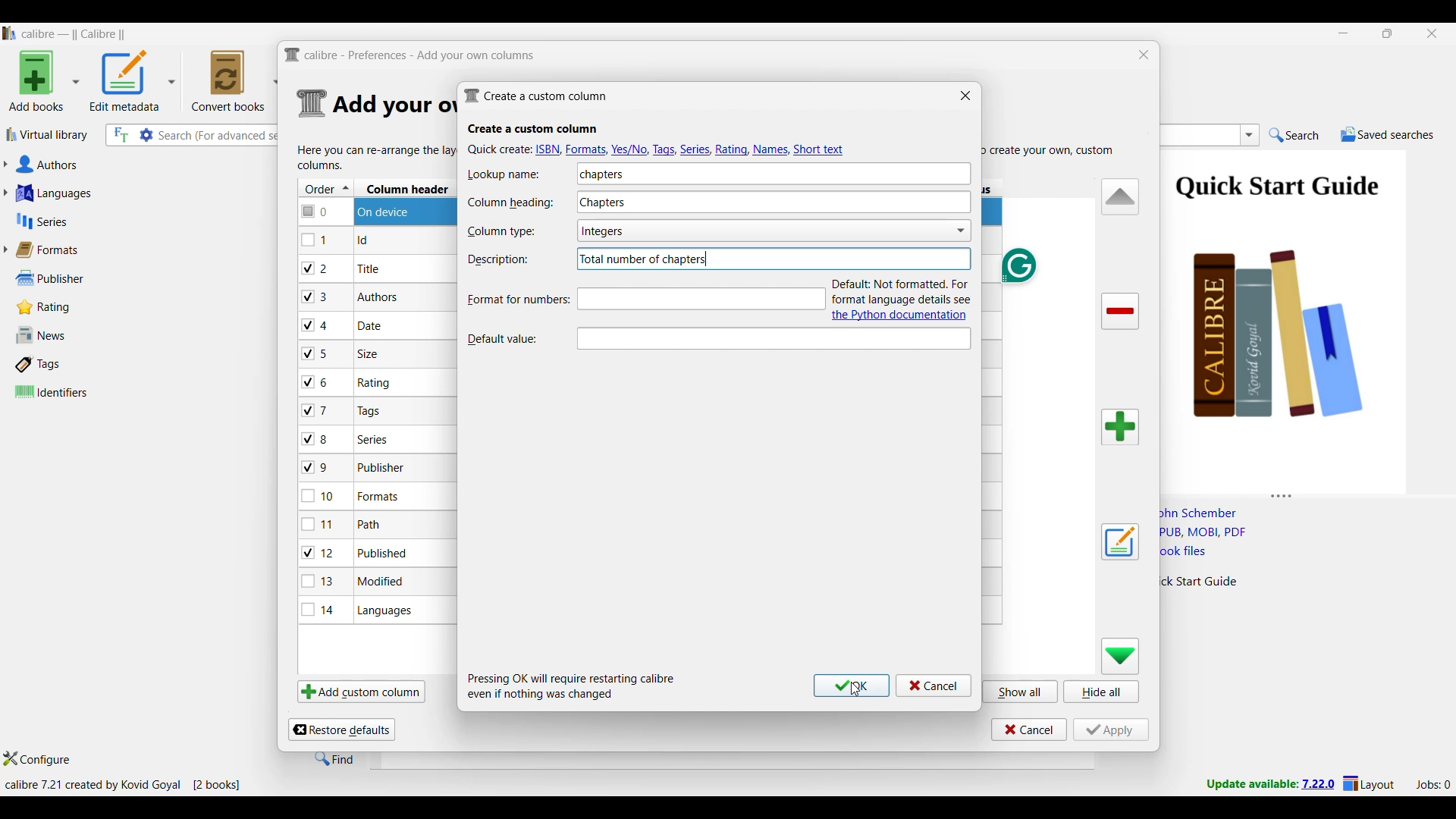 This screenshot has width=1456, height=819. What do you see at coordinates (572, 686) in the screenshot?
I see `Description of steps following saving inputs made` at bounding box center [572, 686].